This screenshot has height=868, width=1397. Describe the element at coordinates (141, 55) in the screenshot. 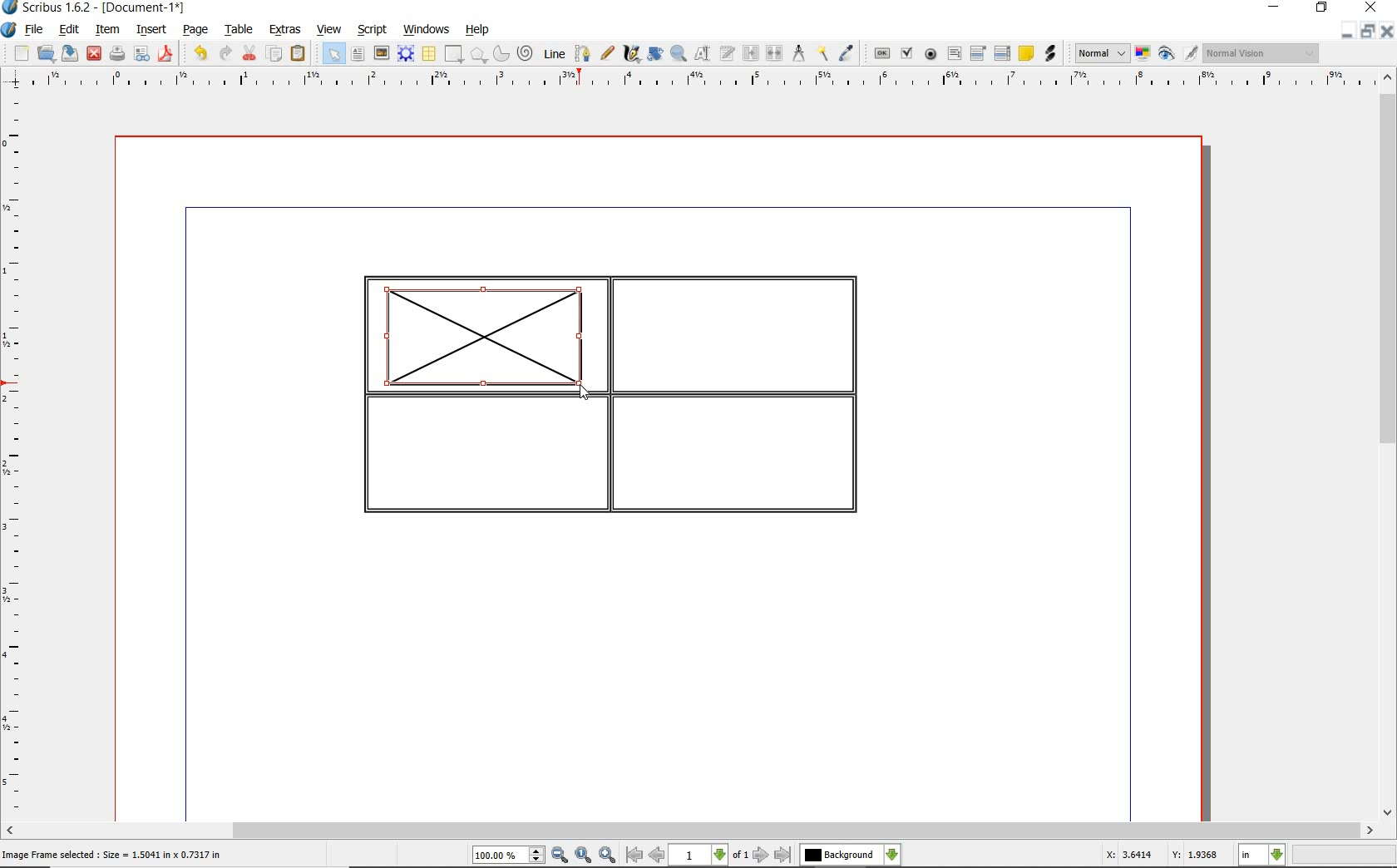

I see `preflight verifier` at that location.